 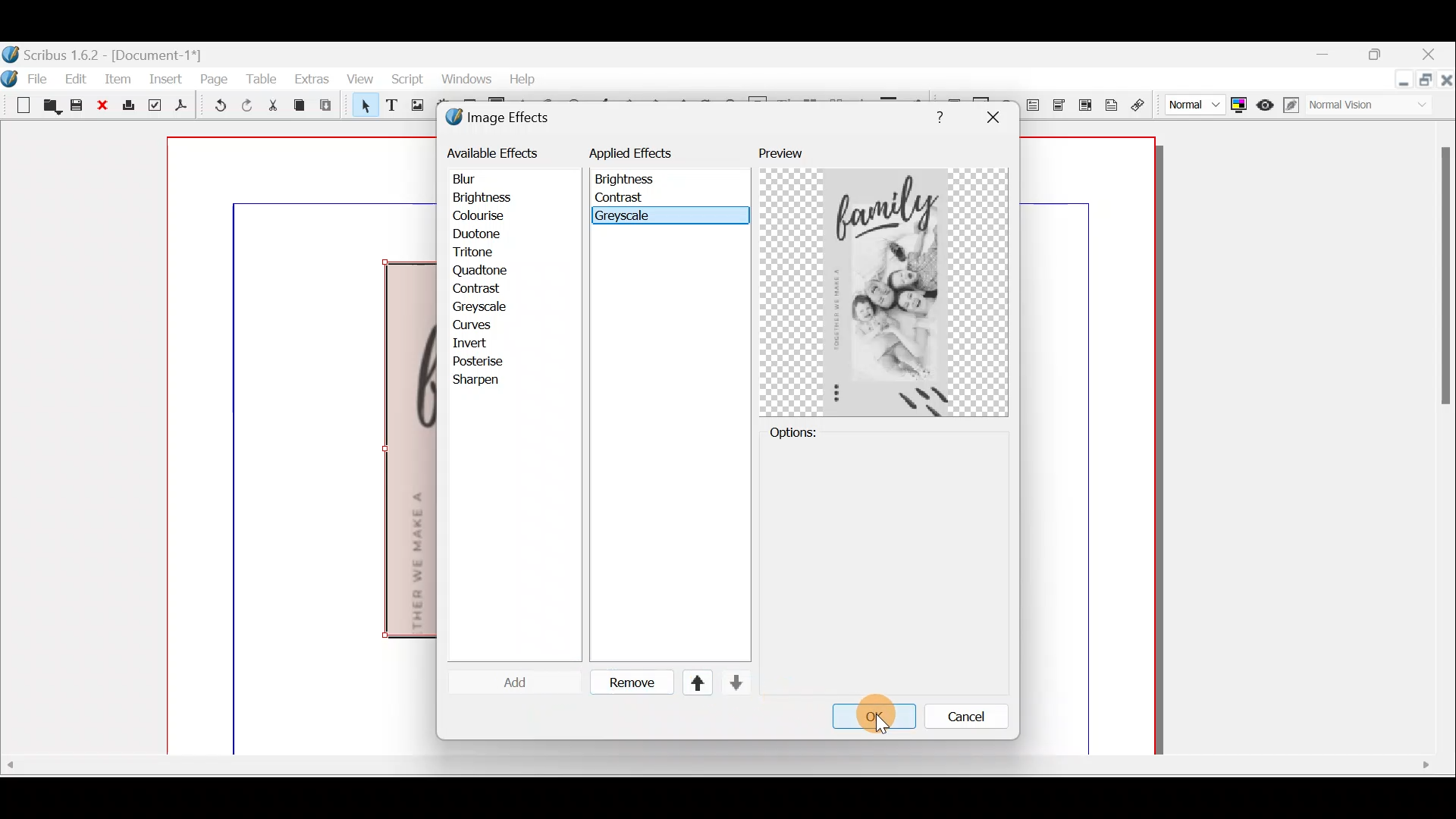 I want to click on PDF text field, so click(x=1035, y=110).